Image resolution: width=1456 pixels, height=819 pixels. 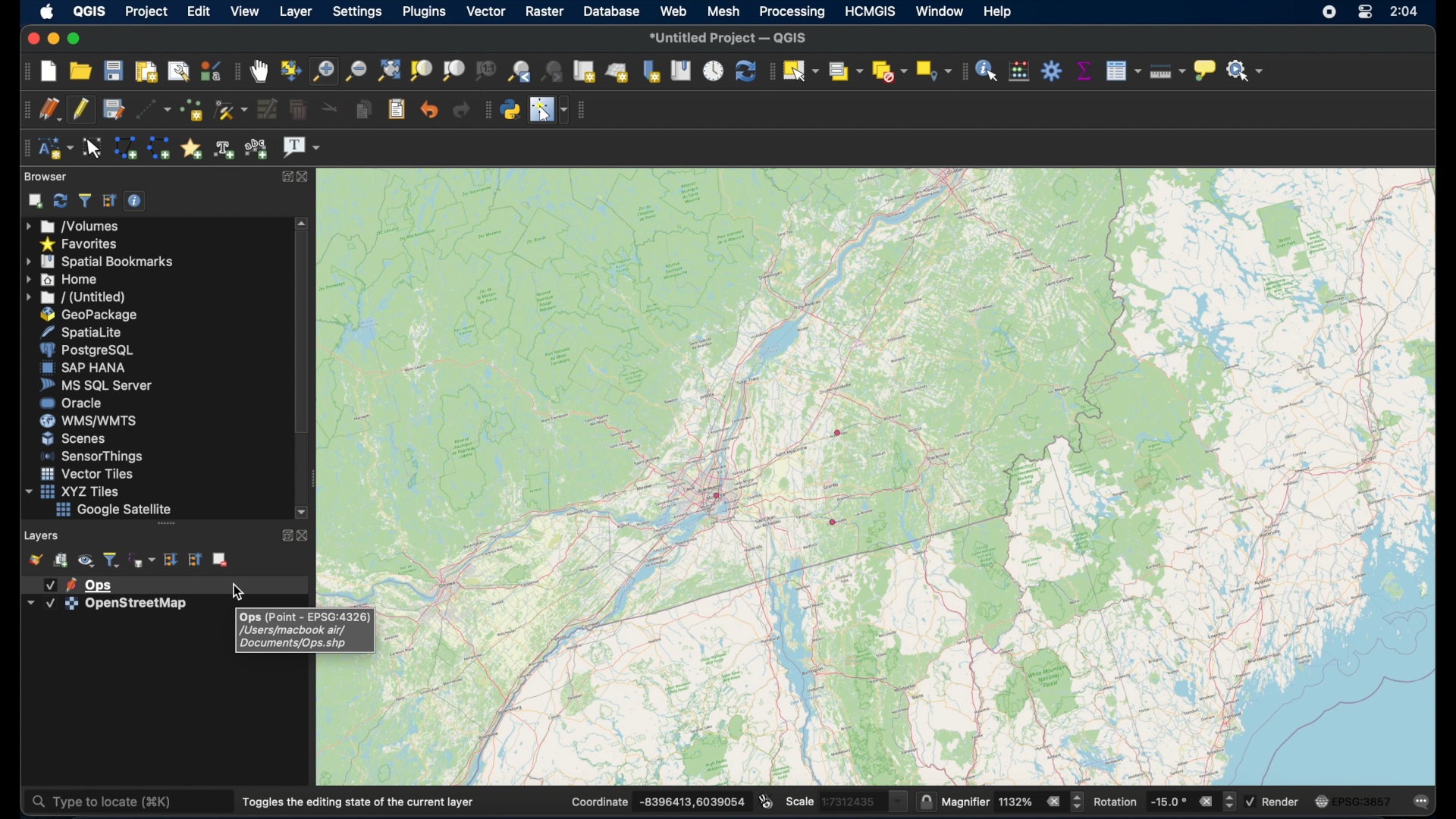 I want to click on scroll up arrow, so click(x=302, y=225).